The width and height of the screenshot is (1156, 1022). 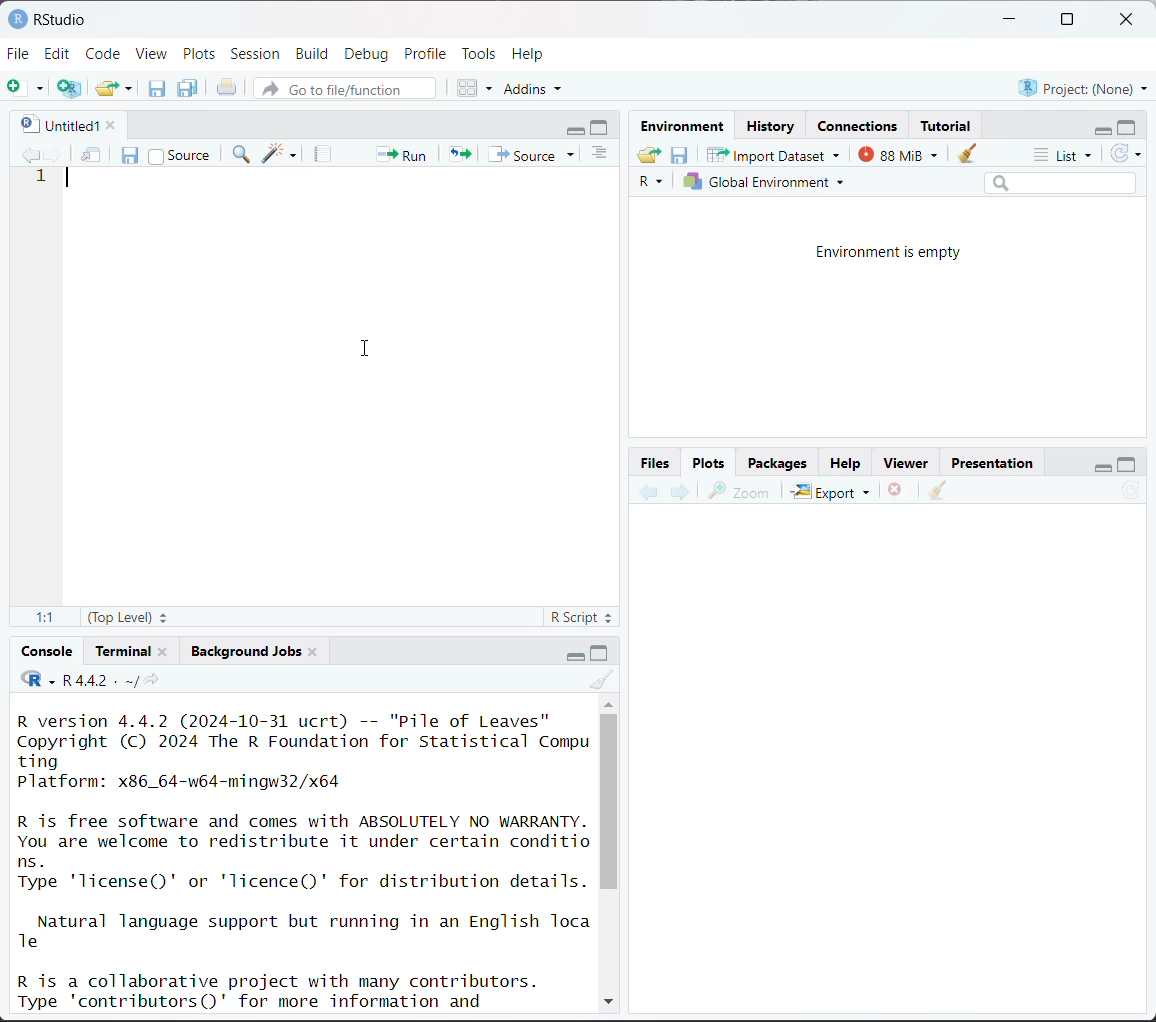 I want to click on Profile, so click(x=428, y=52).